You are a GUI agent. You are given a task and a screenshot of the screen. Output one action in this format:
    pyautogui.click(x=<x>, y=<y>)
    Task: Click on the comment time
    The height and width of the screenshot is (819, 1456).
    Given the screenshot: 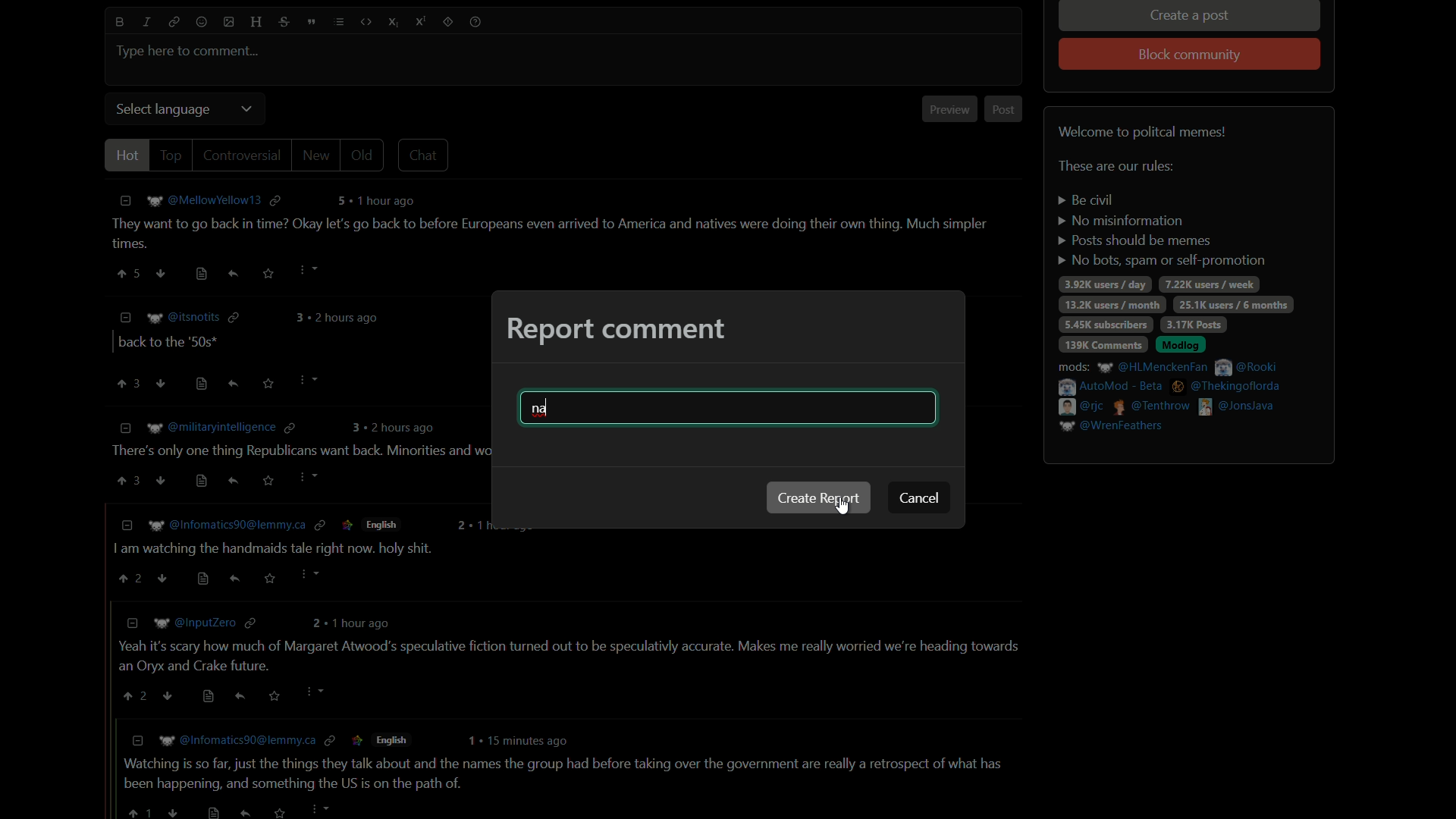 What is the action you would take?
    pyautogui.click(x=340, y=318)
    